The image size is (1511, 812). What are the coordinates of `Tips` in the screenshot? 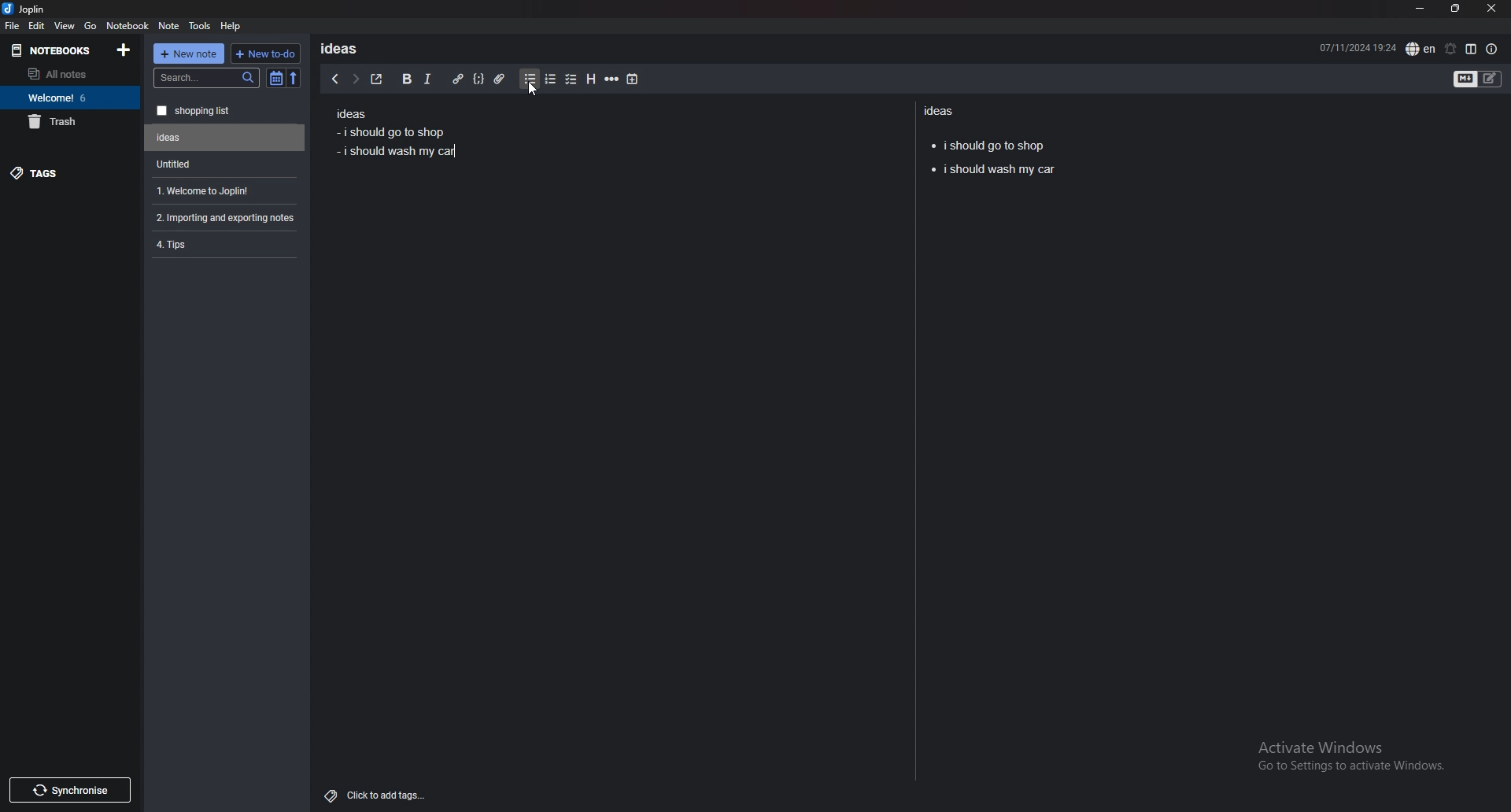 It's located at (224, 243).